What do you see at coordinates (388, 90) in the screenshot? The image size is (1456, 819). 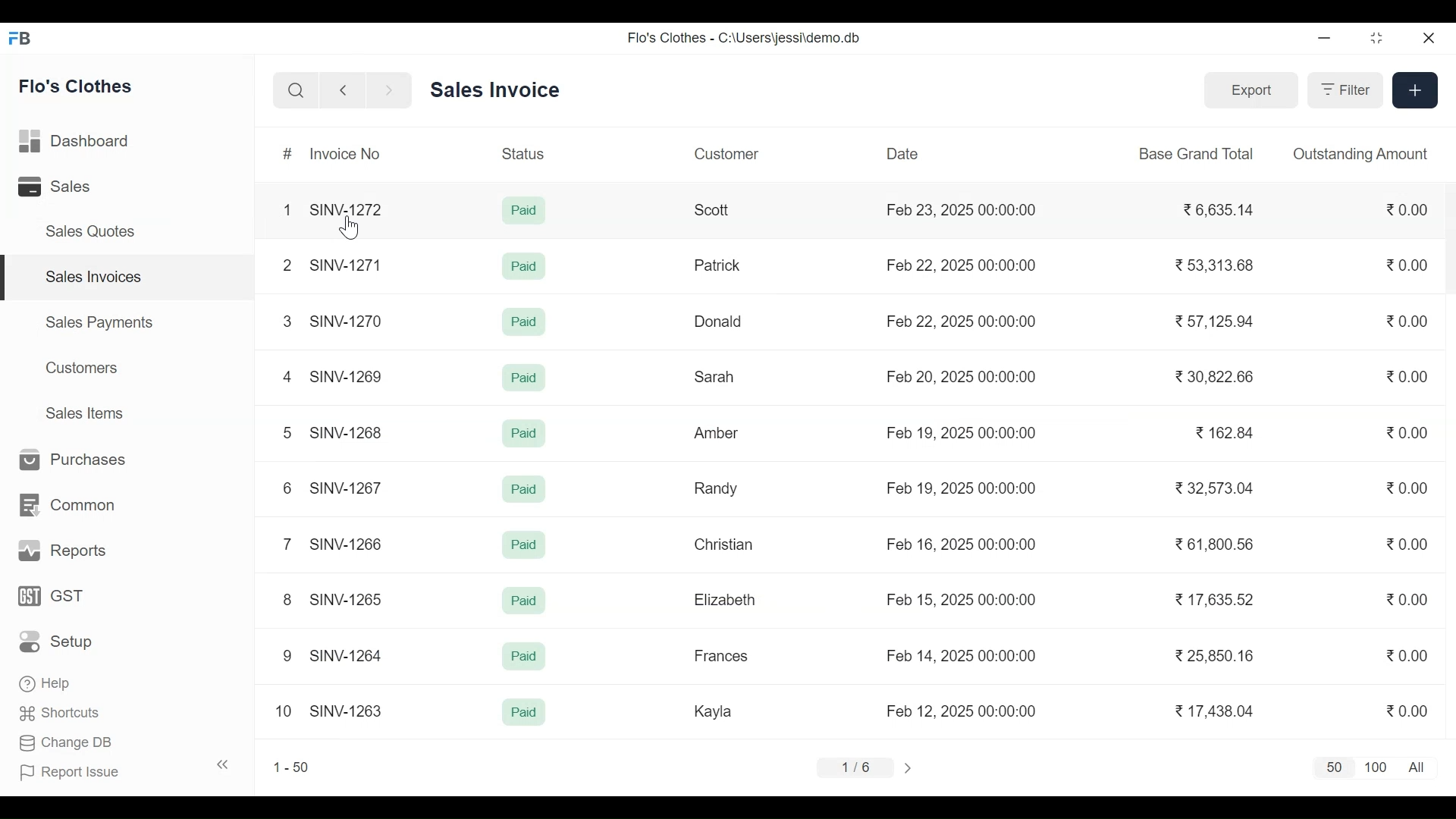 I see `Navigate Forward` at bounding box center [388, 90].